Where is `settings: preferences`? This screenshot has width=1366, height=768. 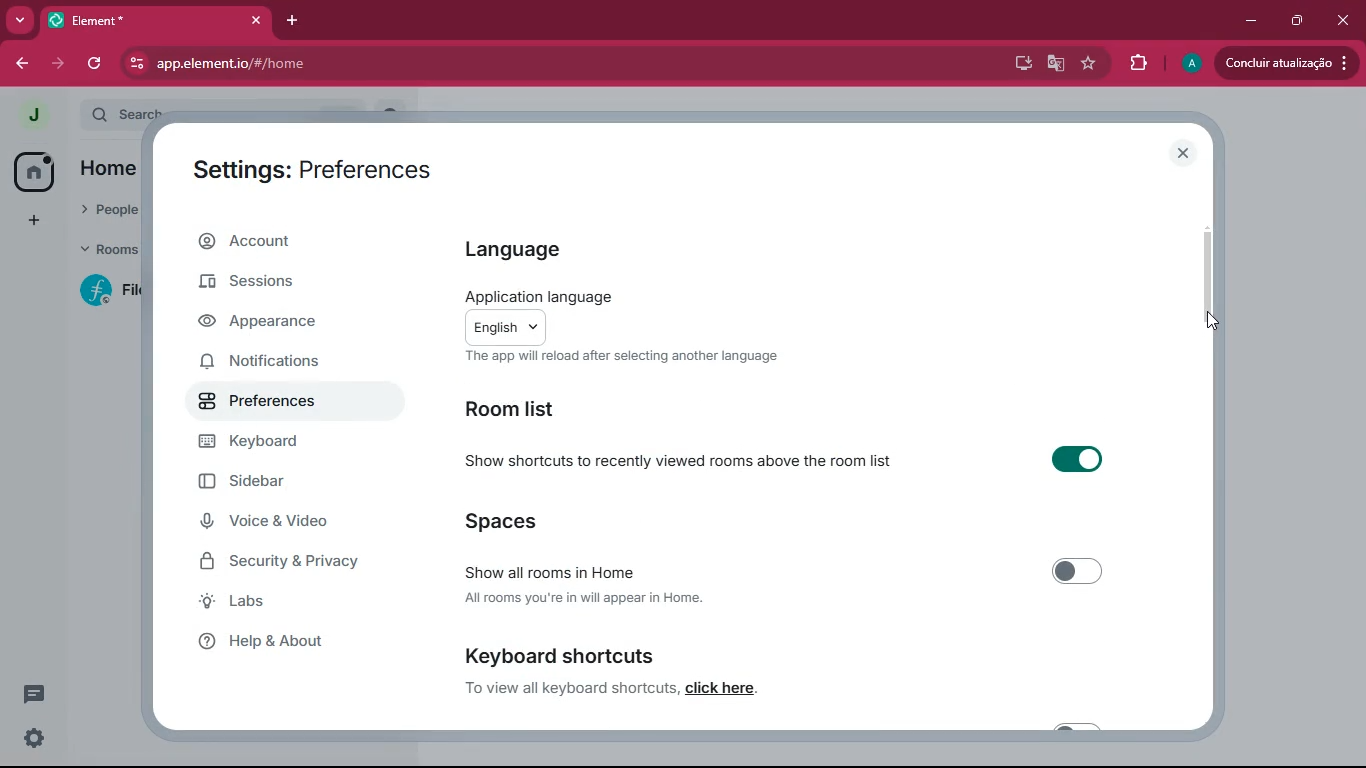 settings: preferences is located at coordinates (318, 171).